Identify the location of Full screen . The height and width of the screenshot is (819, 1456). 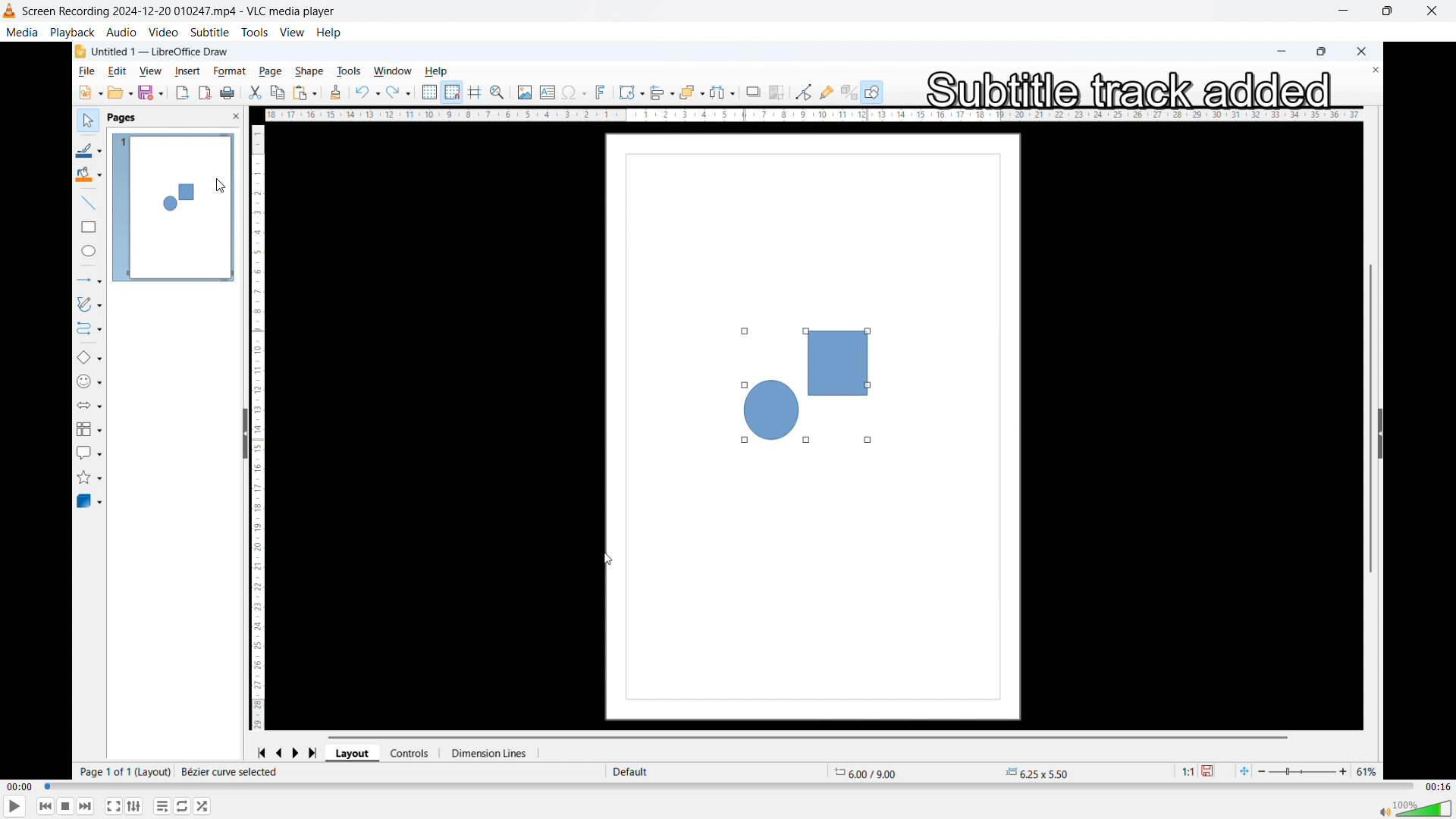
(114, 805).